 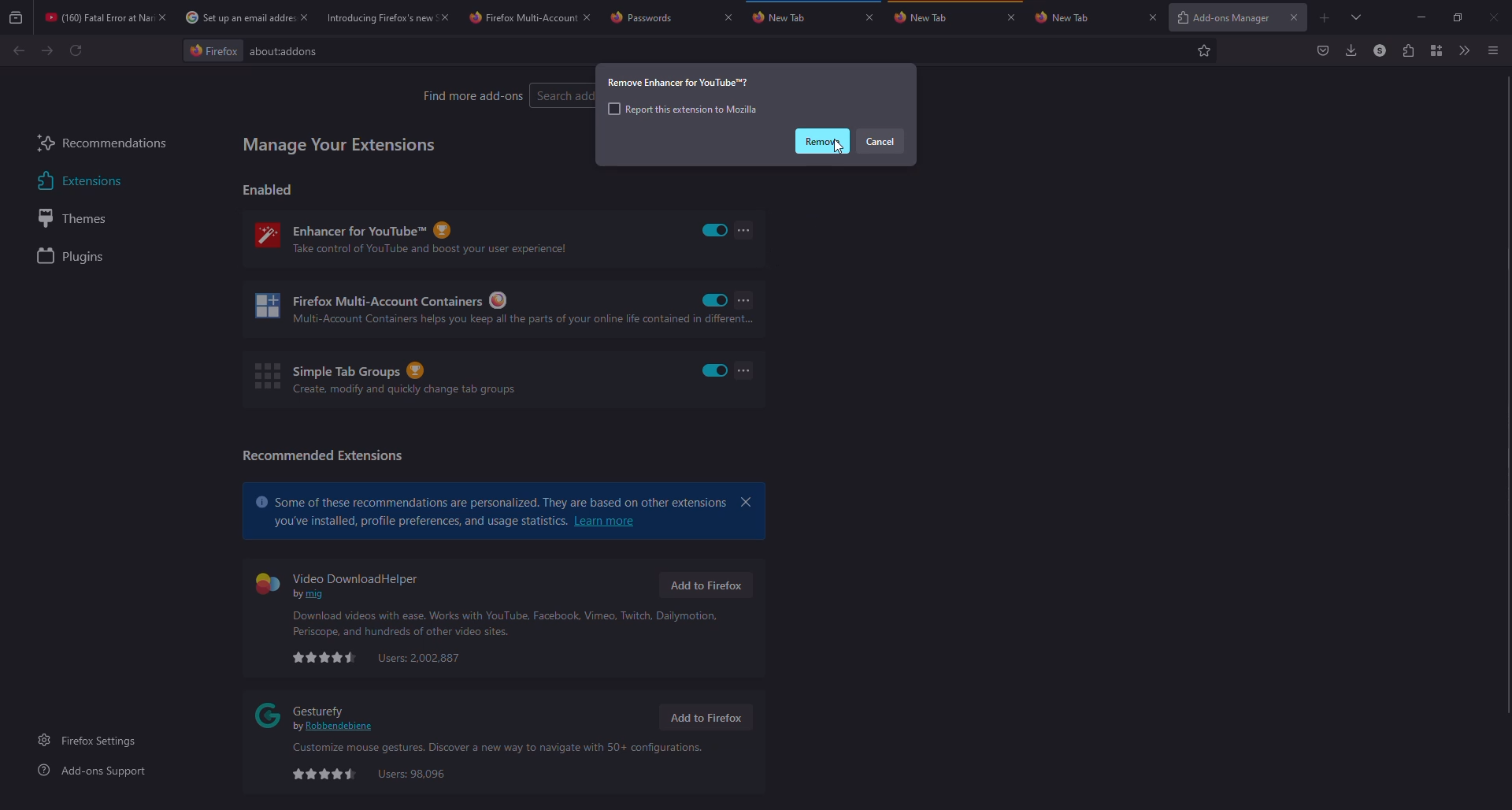 I want to click on menu, so click(x=1492, y=51).